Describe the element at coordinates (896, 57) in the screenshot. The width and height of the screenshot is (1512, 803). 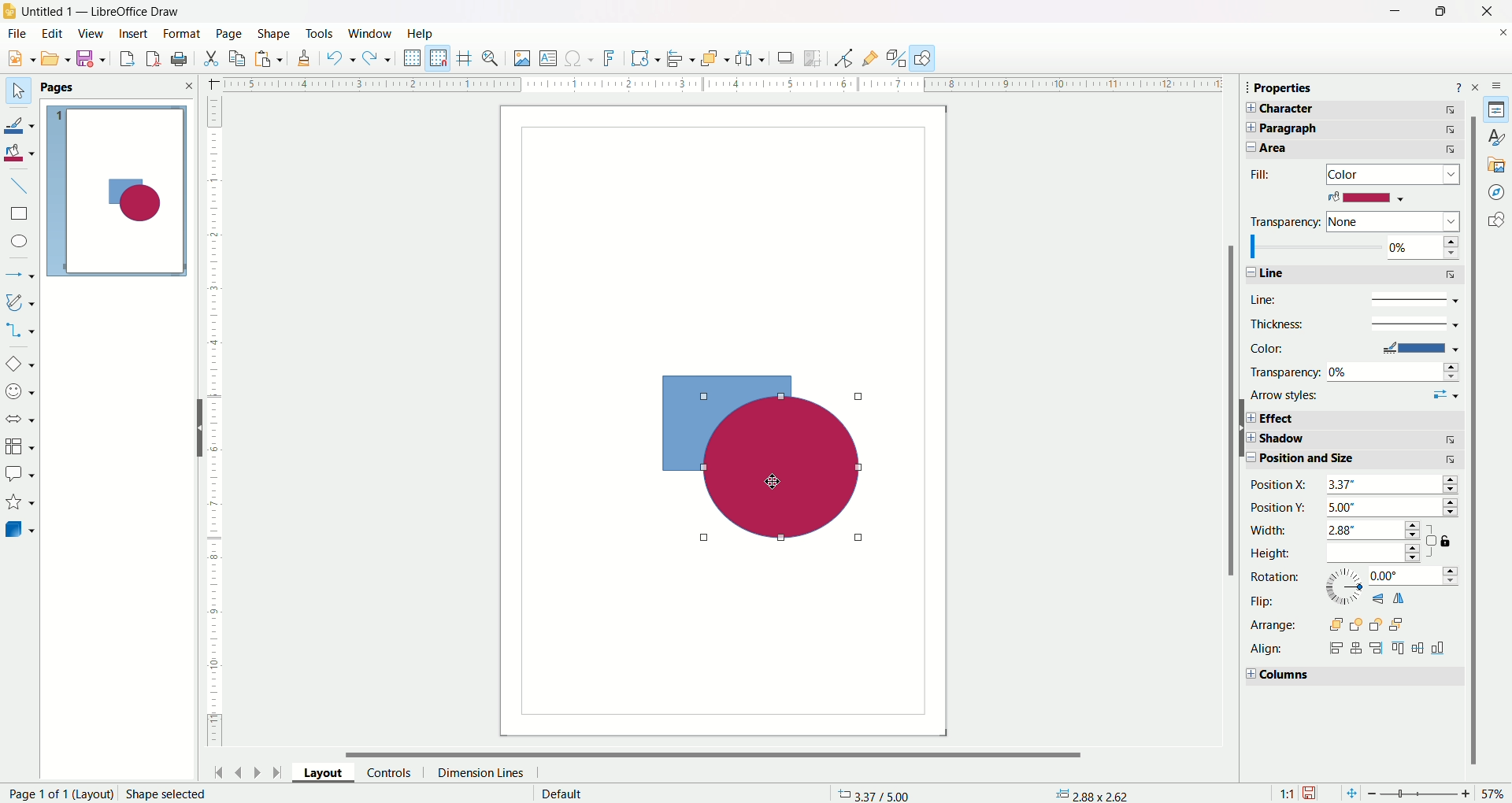
I see `extrusion` at that location.